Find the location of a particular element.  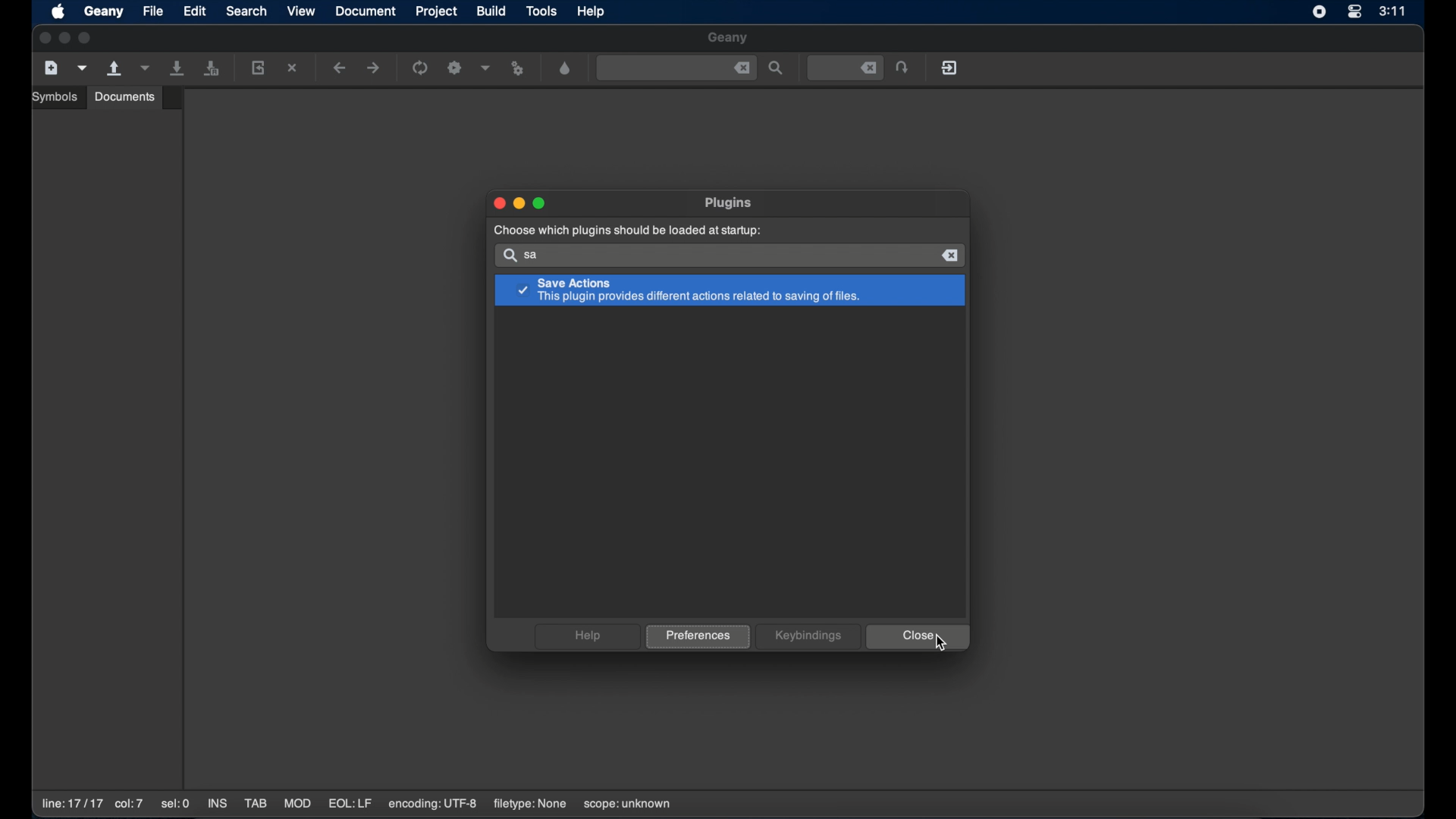

open a recent file is located at coordinates (145, 68).